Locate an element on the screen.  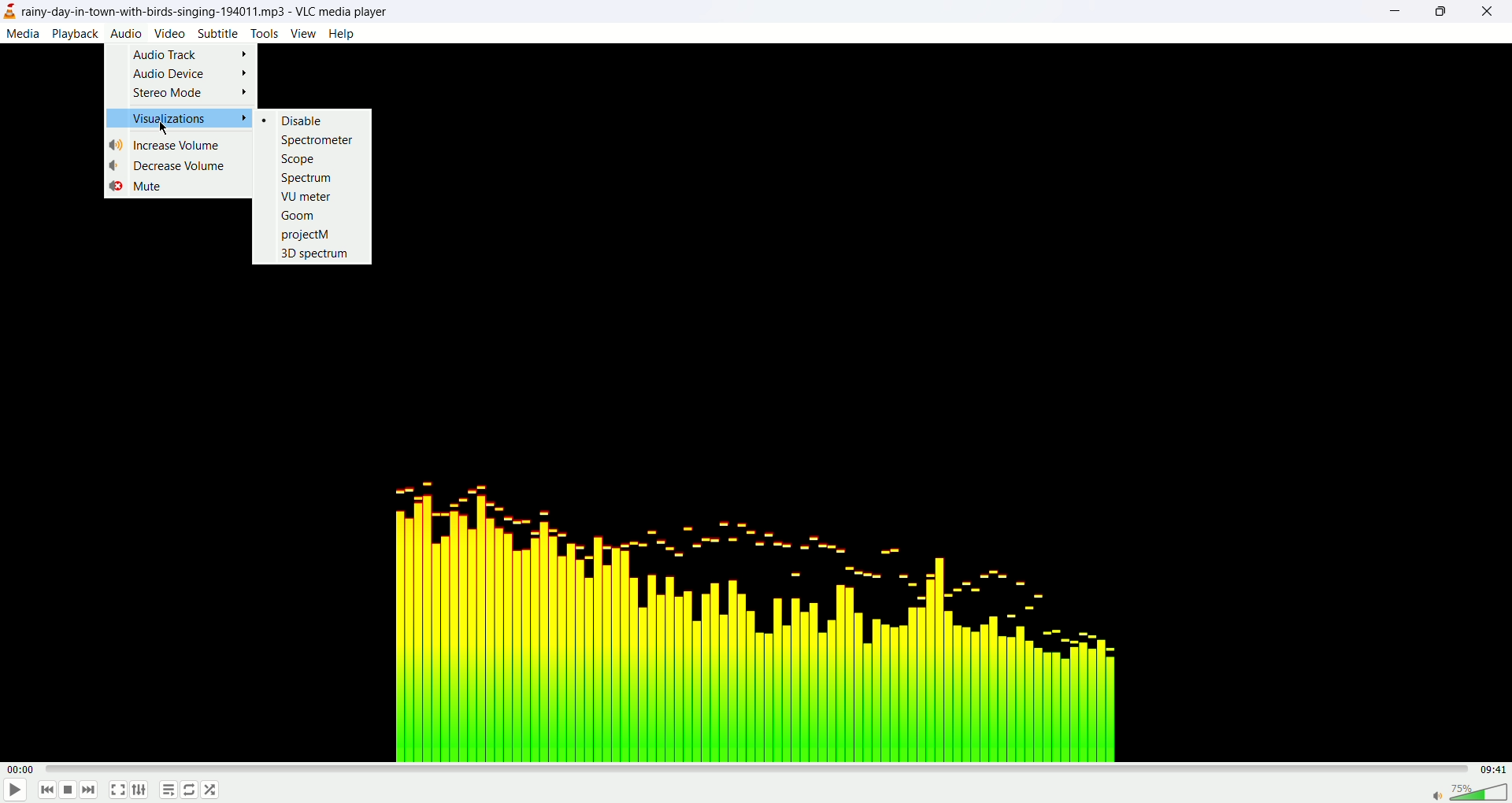
audio device is located at coordinates (188, 72).